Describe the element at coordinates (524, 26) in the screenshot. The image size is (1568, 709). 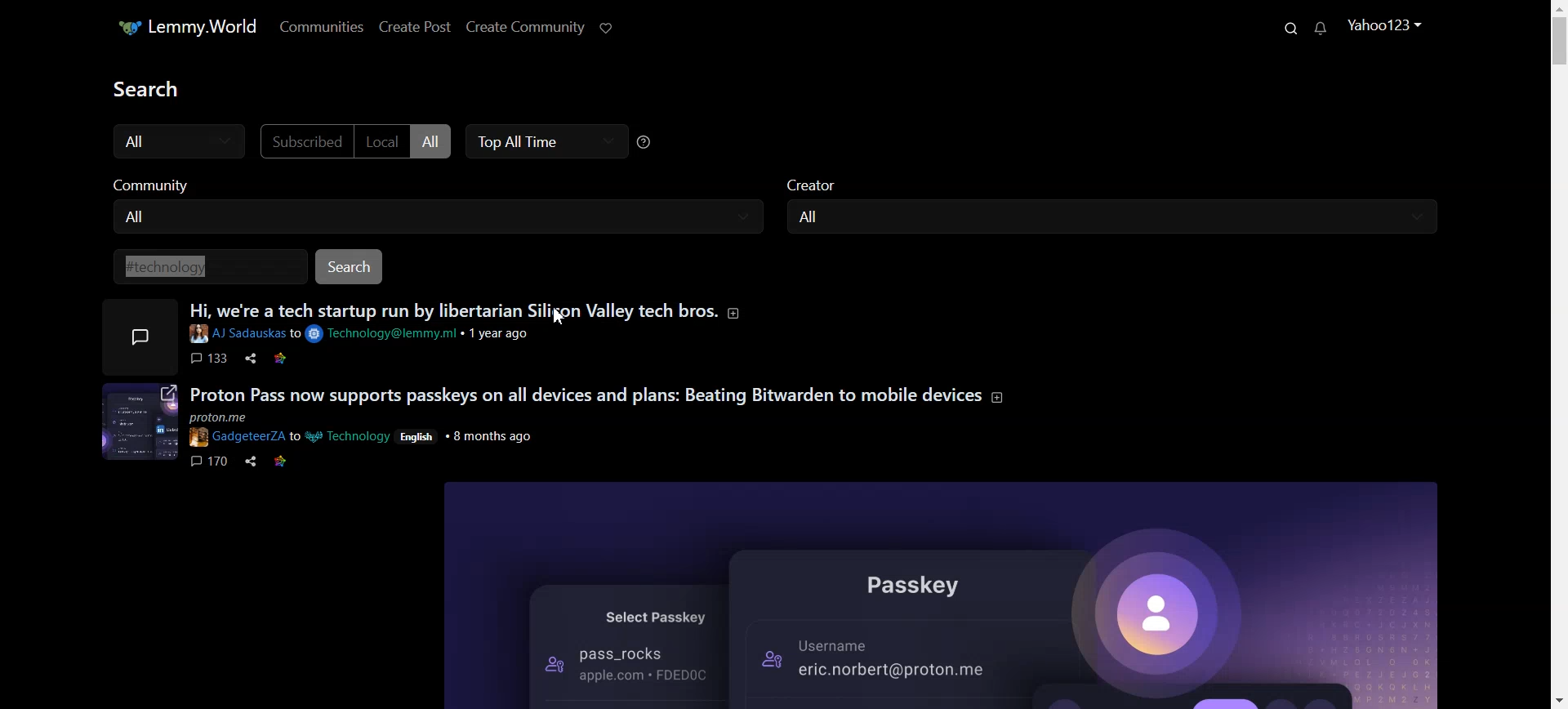
I see `Create Community` at that location.